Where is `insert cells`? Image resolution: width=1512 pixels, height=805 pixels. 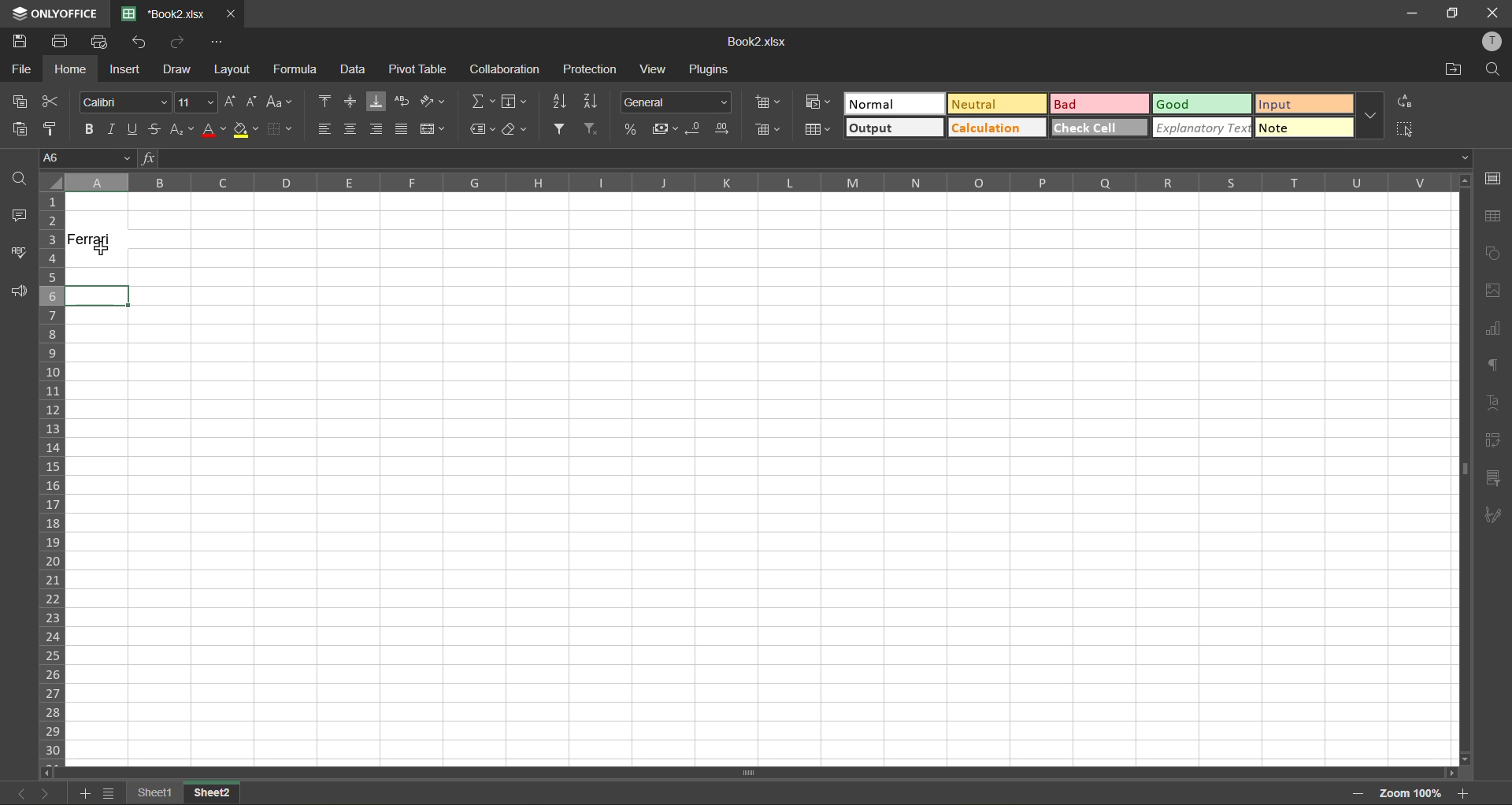
insert cells is located at coordinates (770, 101).